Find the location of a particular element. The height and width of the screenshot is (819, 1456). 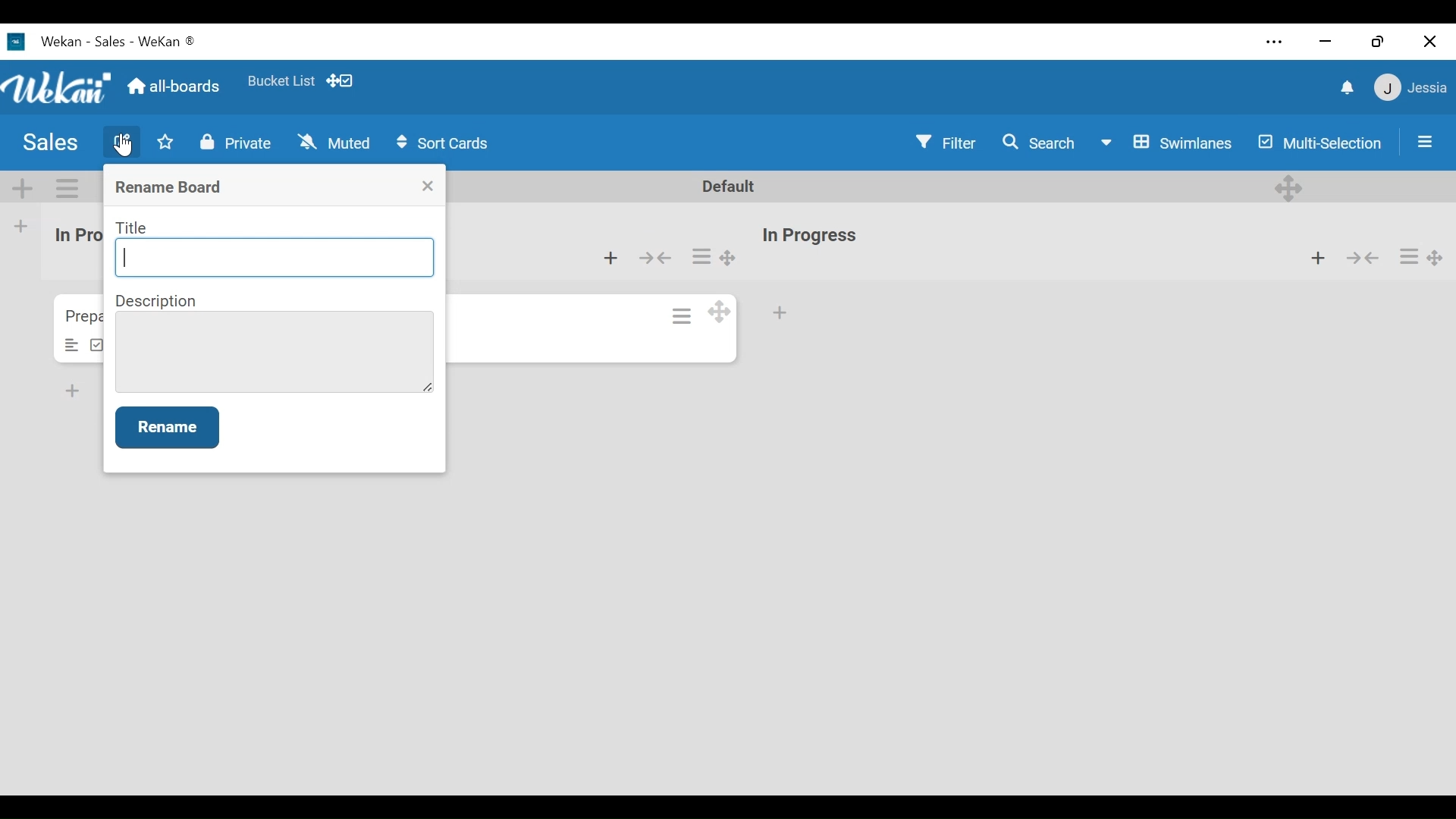

Member is located at coordinates (1412, 87).